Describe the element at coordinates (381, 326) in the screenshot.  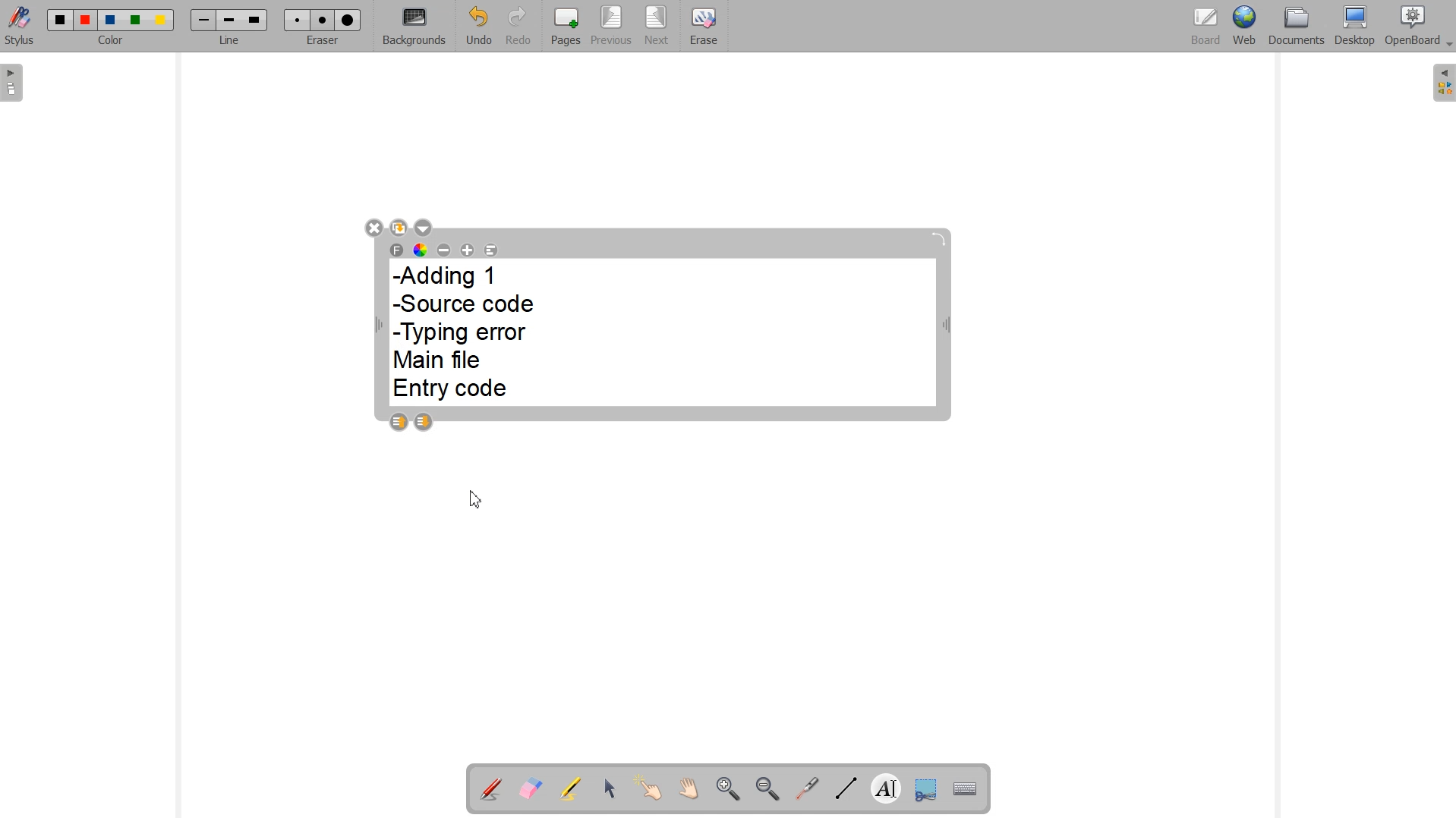
I see `Width Adjustable` at that location.